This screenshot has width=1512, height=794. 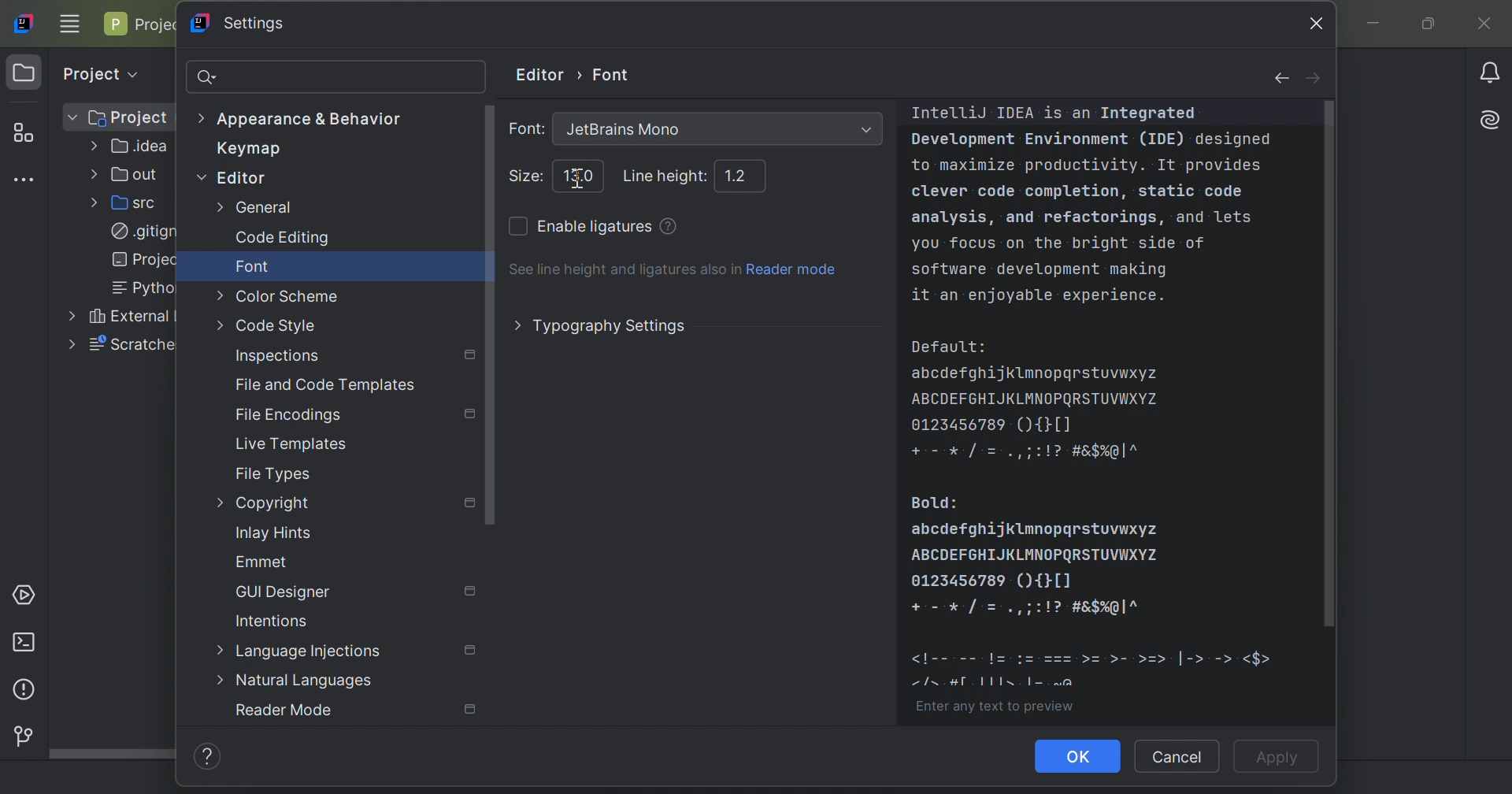 I want to click on File Encodings, so click(x=289, y=417).